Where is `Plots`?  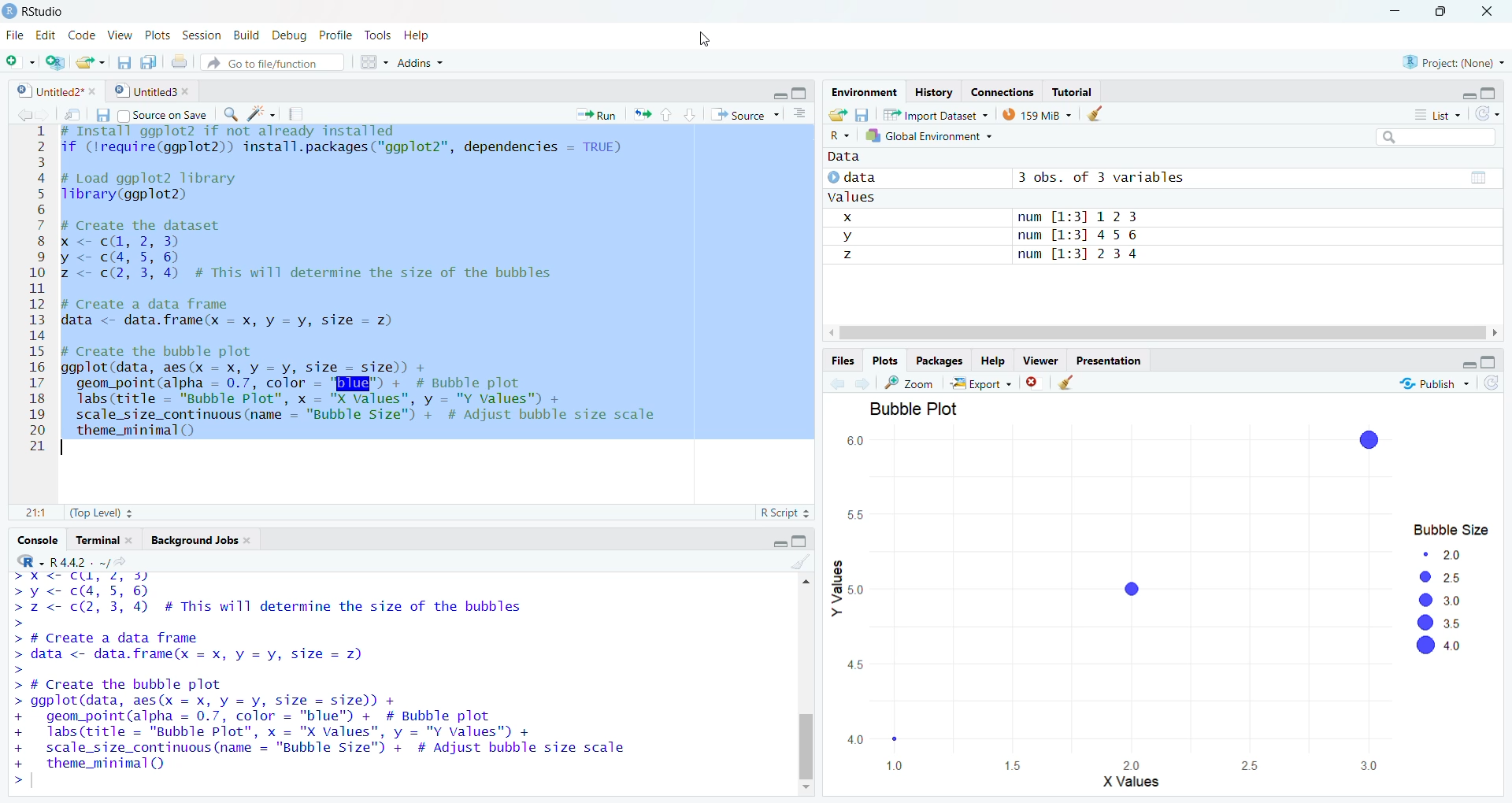 Plots is located at coordinates (886, 358).